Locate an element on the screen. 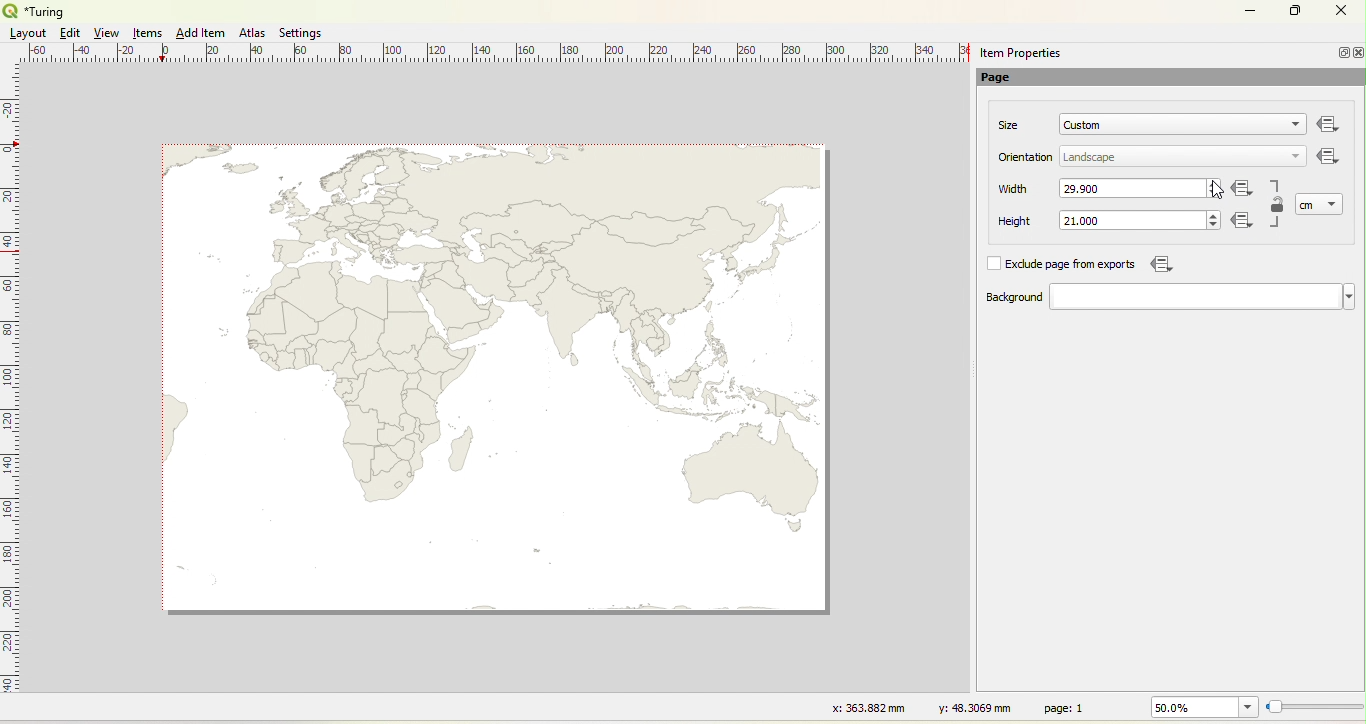  y: 48.3069 mm is located at coordinates (968, 707).